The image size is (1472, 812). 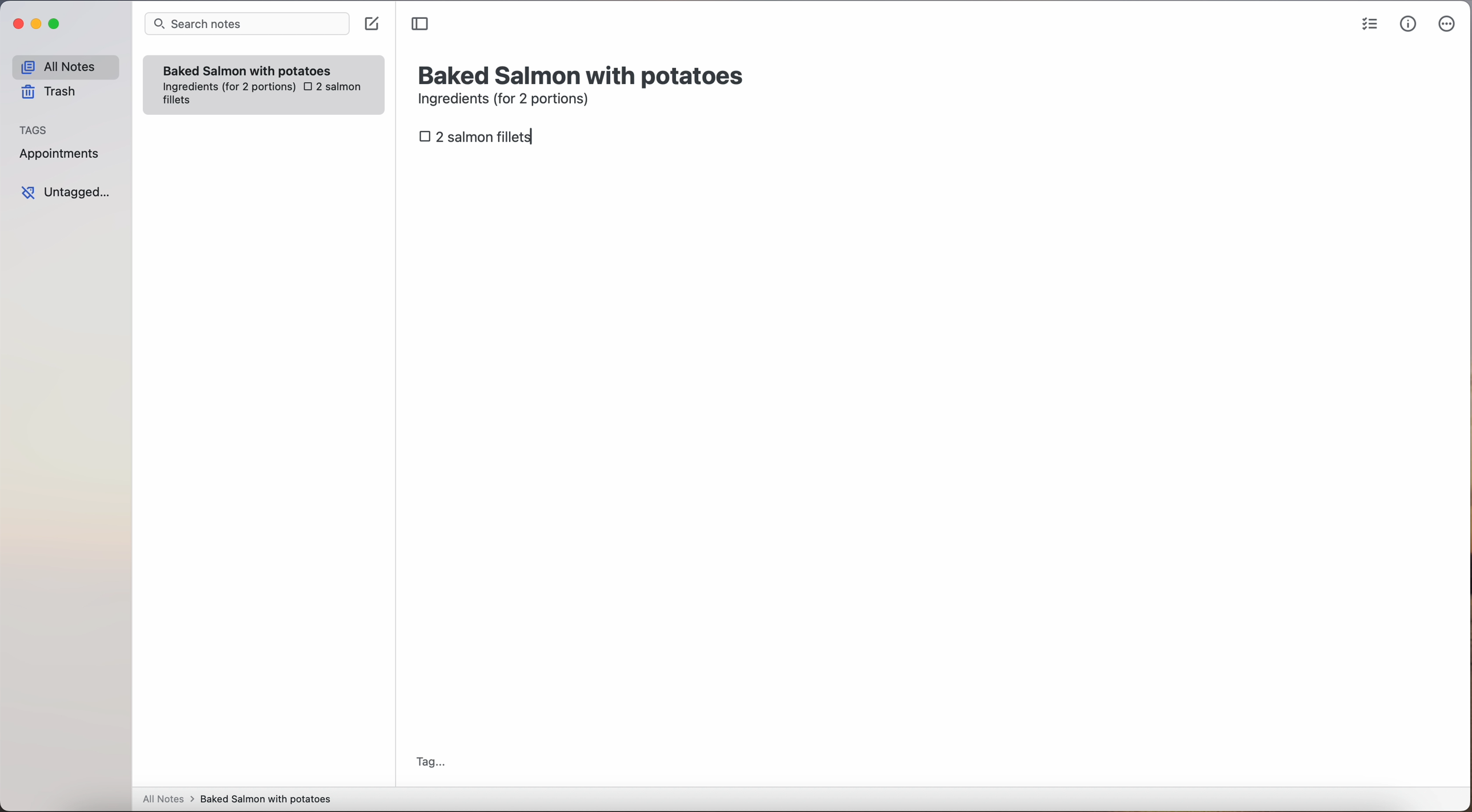 I want to click on Baked Salmon with potatoes, so click(x=247, y=69).